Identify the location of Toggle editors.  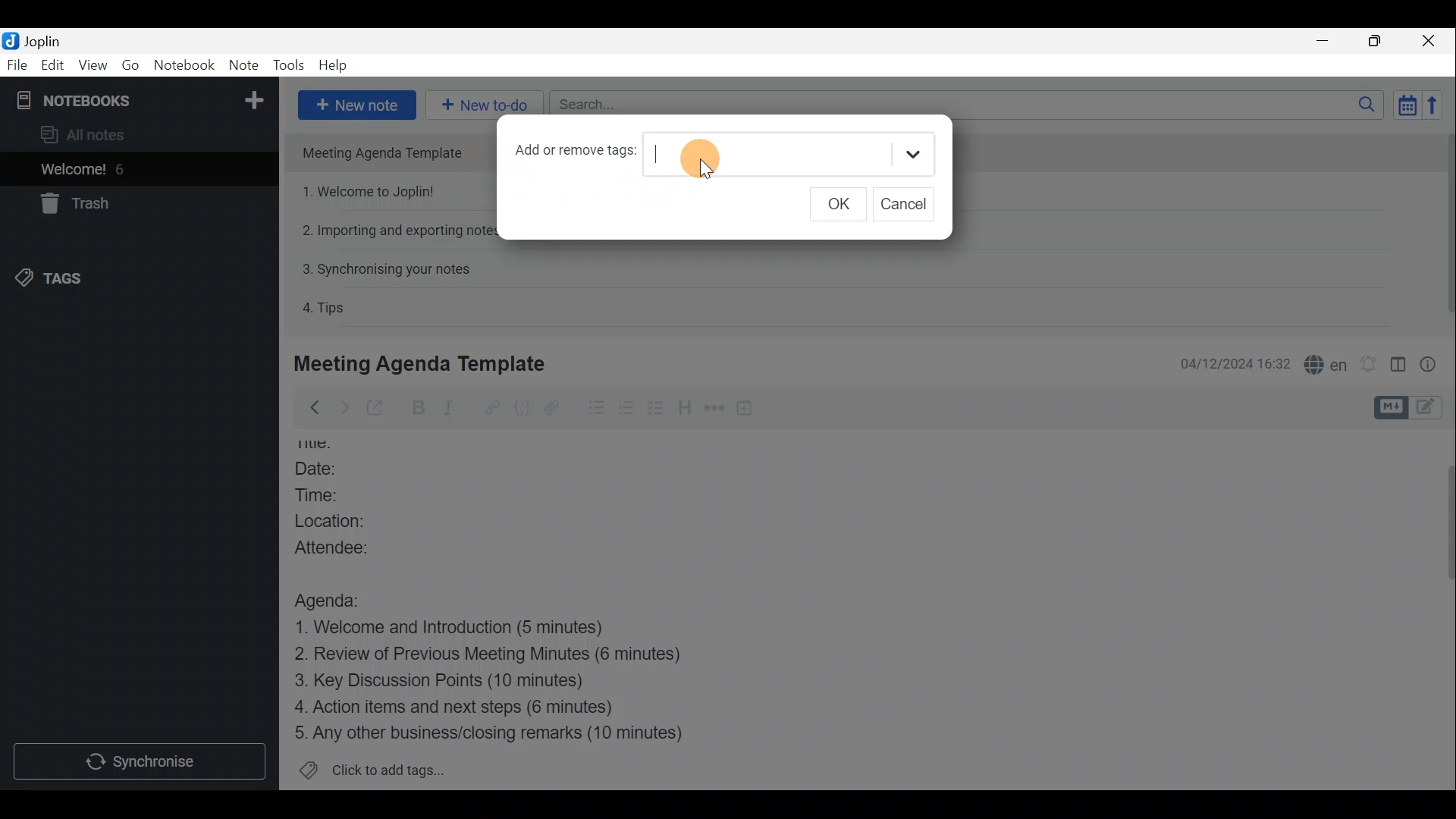
(1389, 408).